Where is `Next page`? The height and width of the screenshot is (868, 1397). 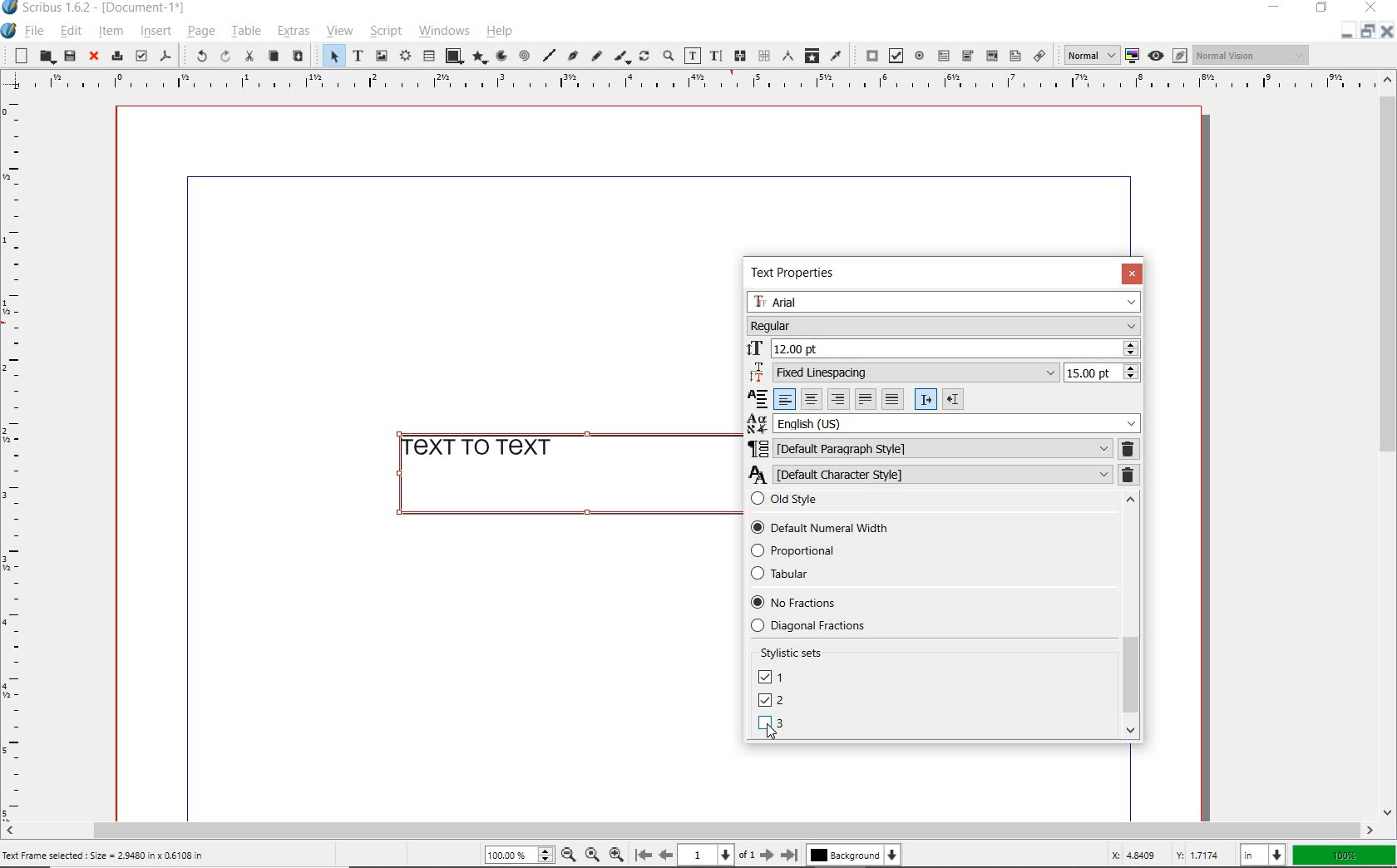
Next page is located at coordinates (766, 855).